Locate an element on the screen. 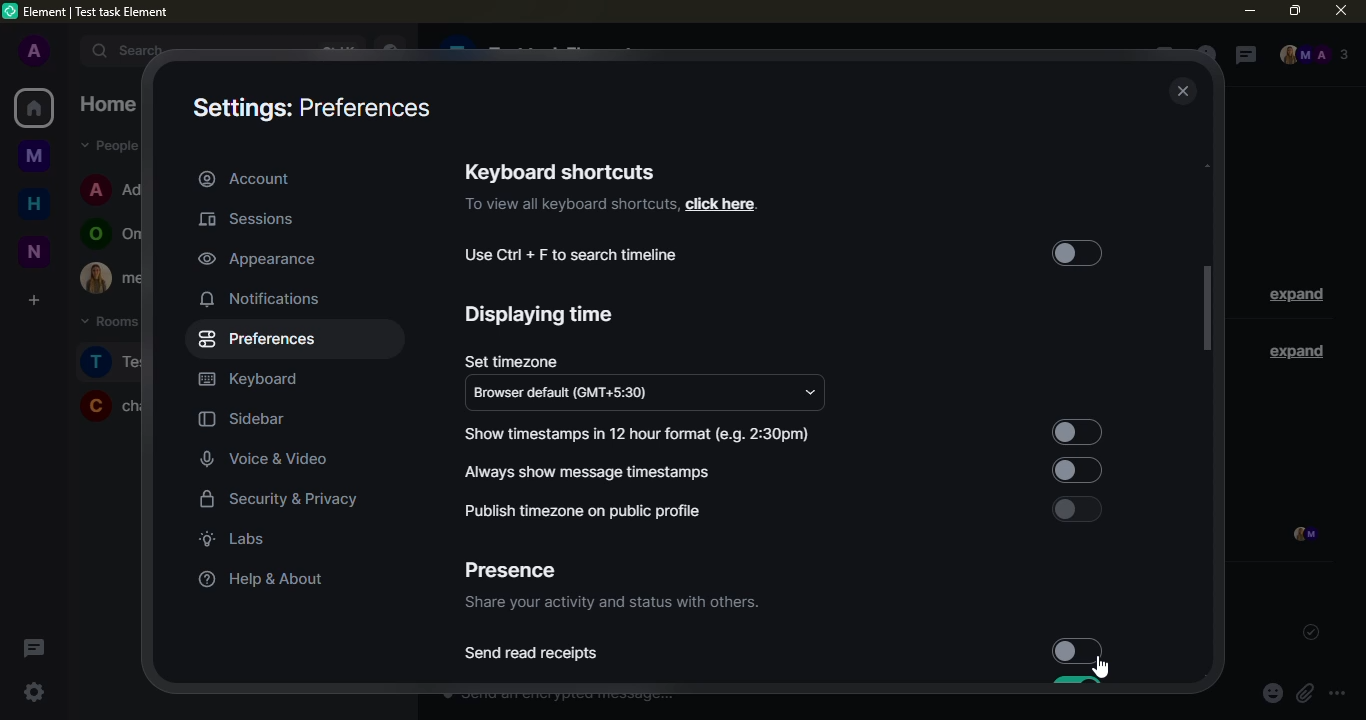 Image resolution: width=1366 pixels, height=720 pixels. voice video is located at coordinates (278, 457).